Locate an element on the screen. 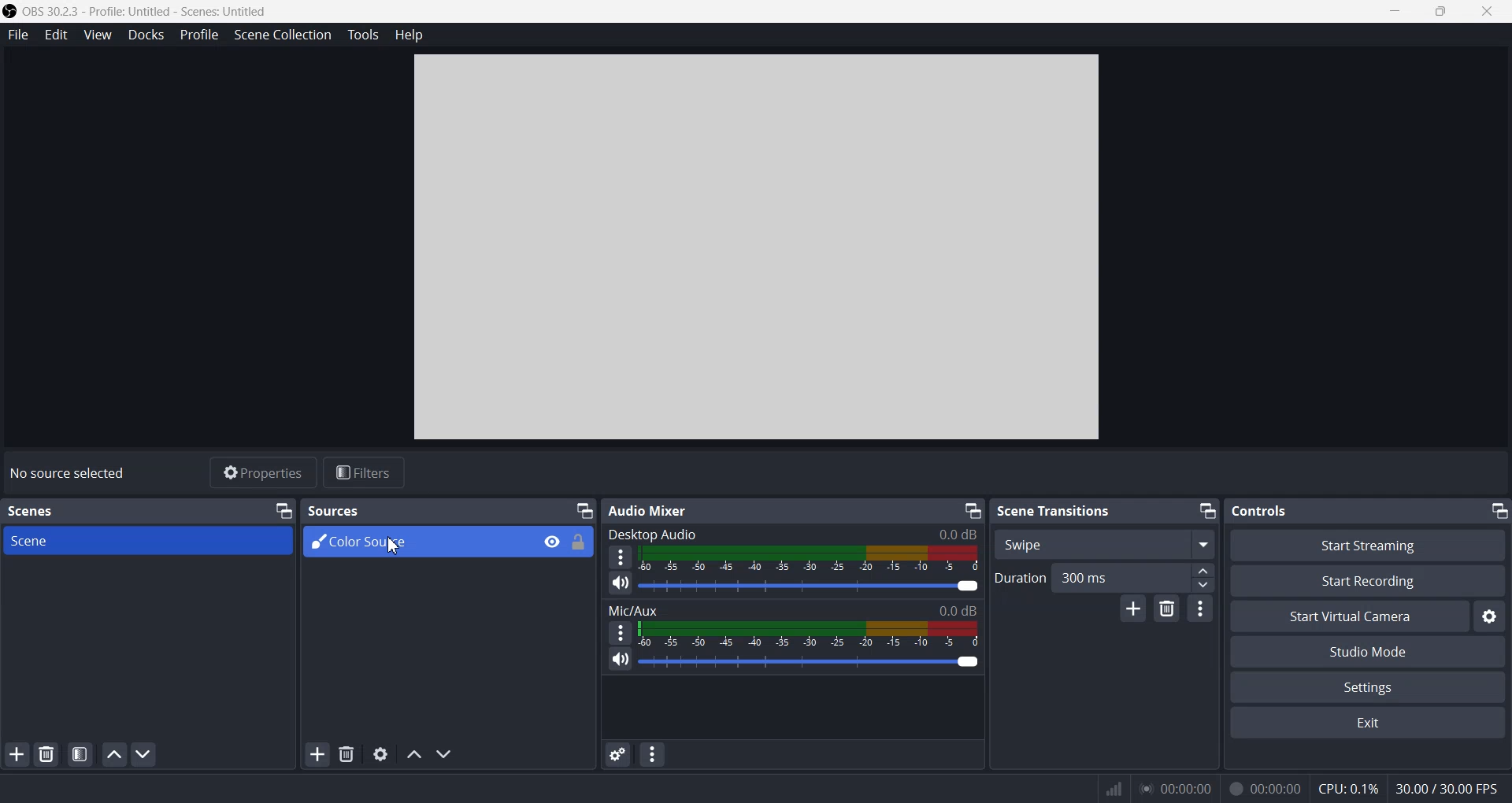 The width and height of the screenshot is (1512, 803). Move Source Down is located at coordinates (446, 754).